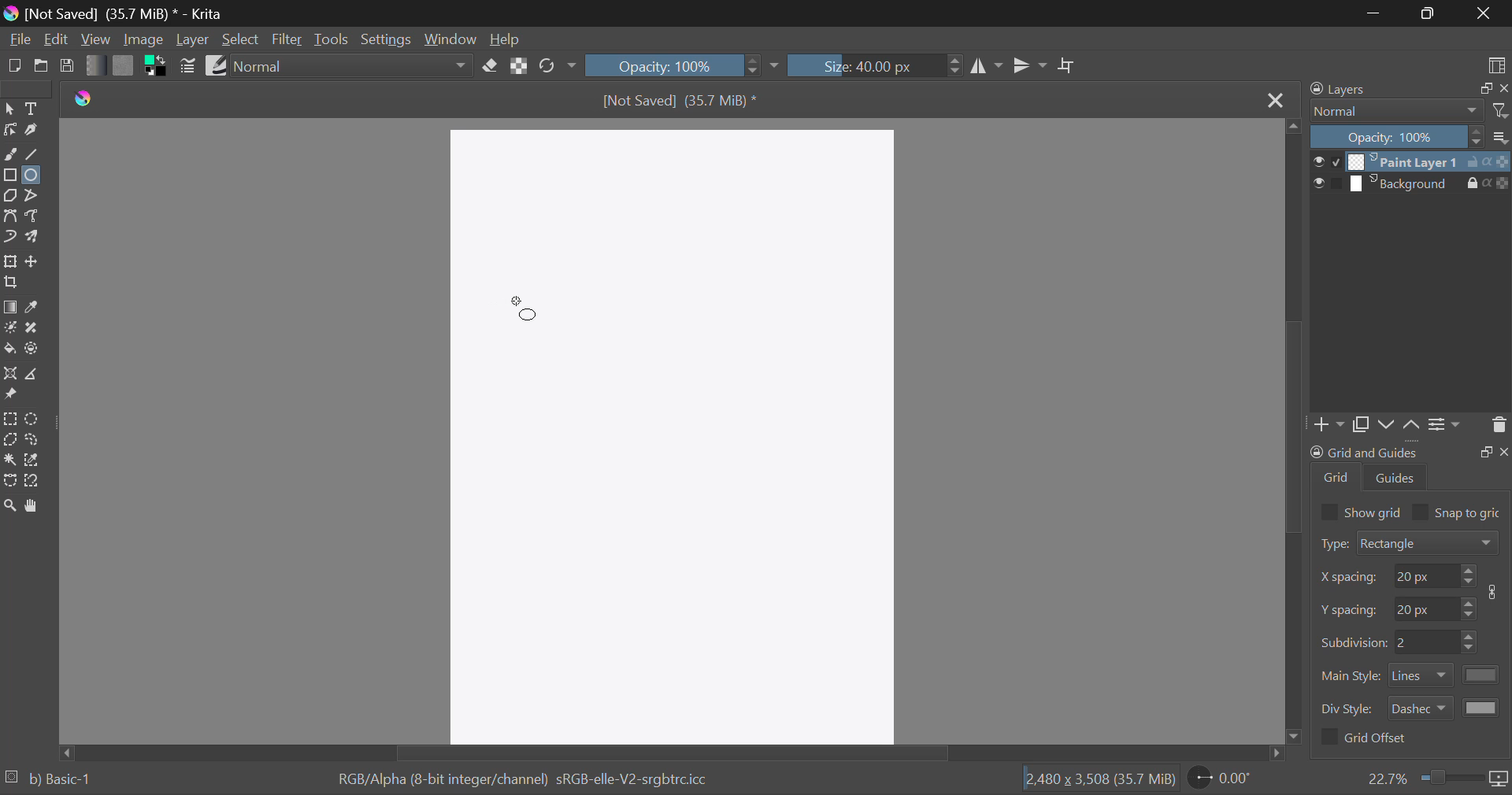 The height and width of the screenshot is (795, 1512). Describe the element at coordinates (31, 175) in the screenshot. I see `Ellipses Selected ` at that location.